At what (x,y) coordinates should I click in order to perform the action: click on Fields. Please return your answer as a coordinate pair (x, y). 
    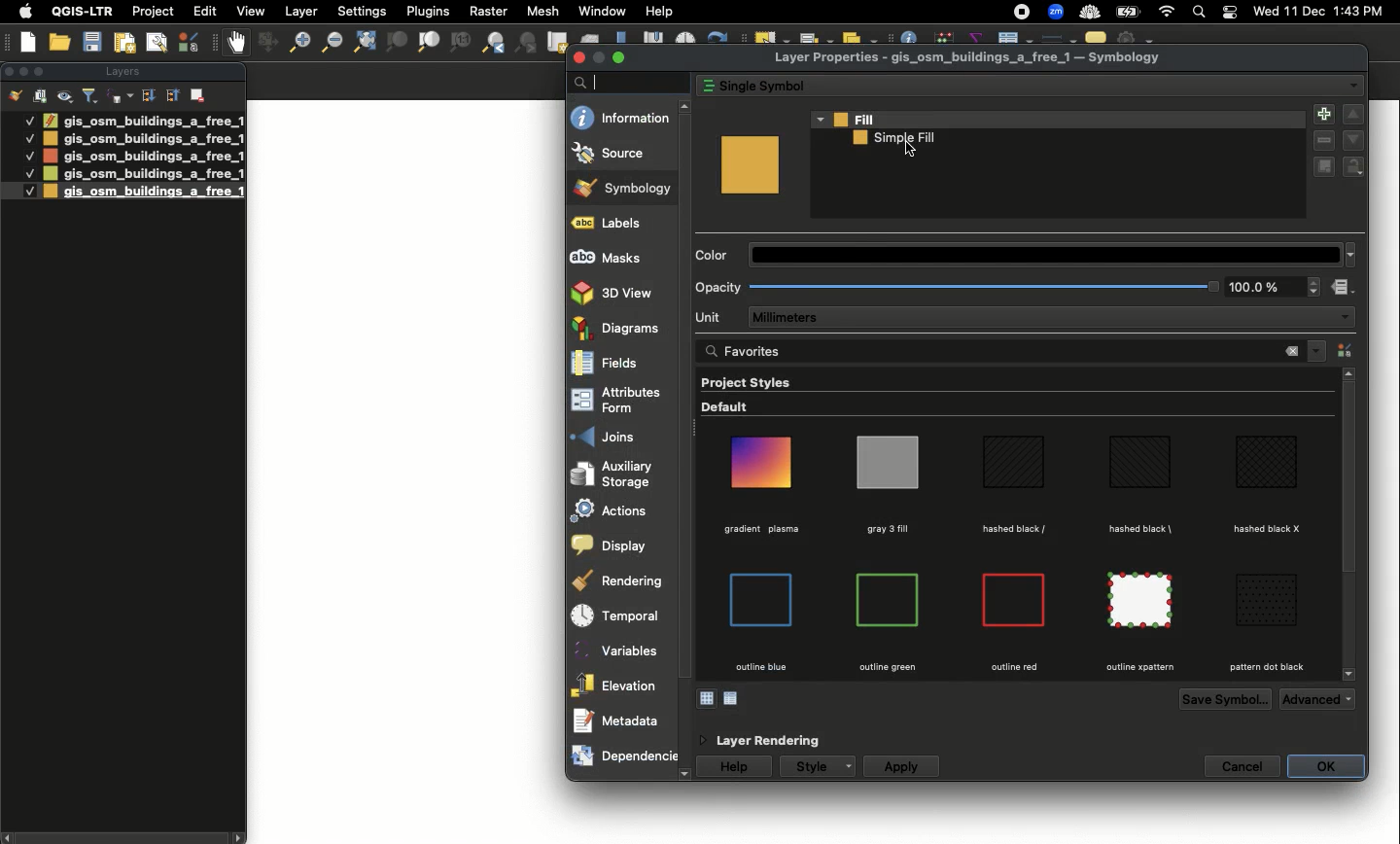
    Looking at the image, I should click on (621, 363).